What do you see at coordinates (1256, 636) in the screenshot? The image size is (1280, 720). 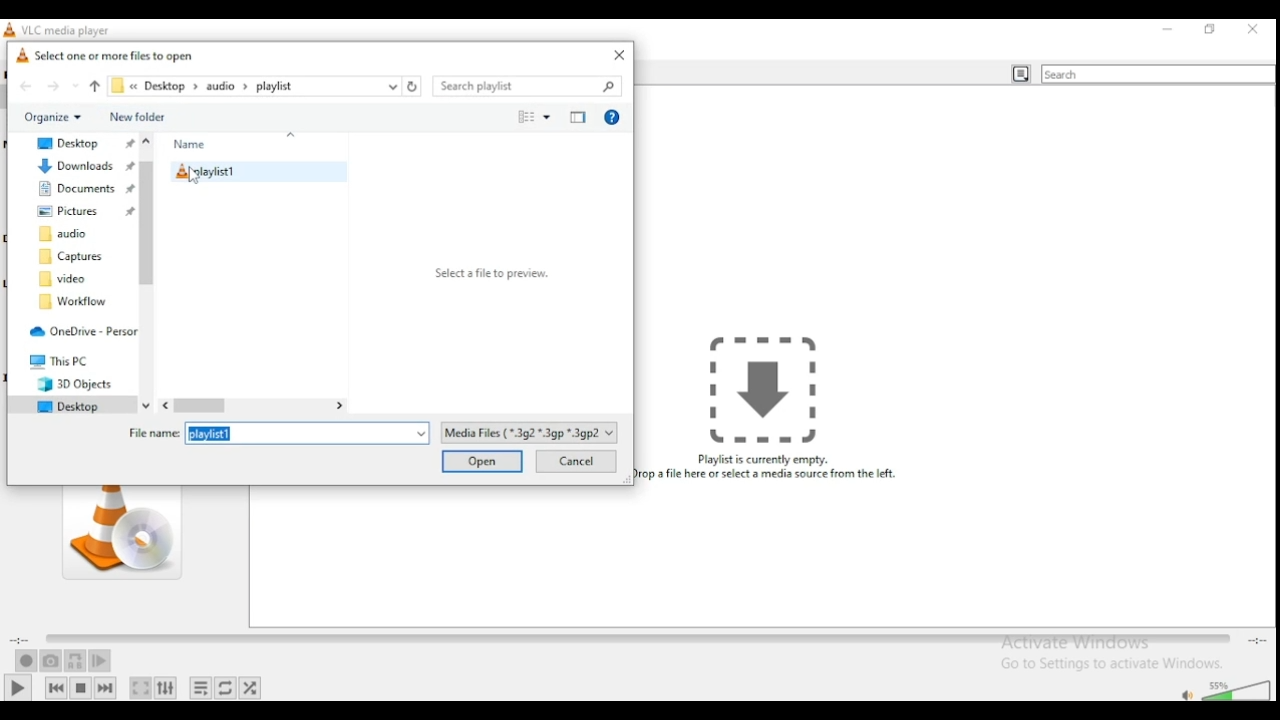 I see `total/remaining time` at bounding box center [1256, 636].